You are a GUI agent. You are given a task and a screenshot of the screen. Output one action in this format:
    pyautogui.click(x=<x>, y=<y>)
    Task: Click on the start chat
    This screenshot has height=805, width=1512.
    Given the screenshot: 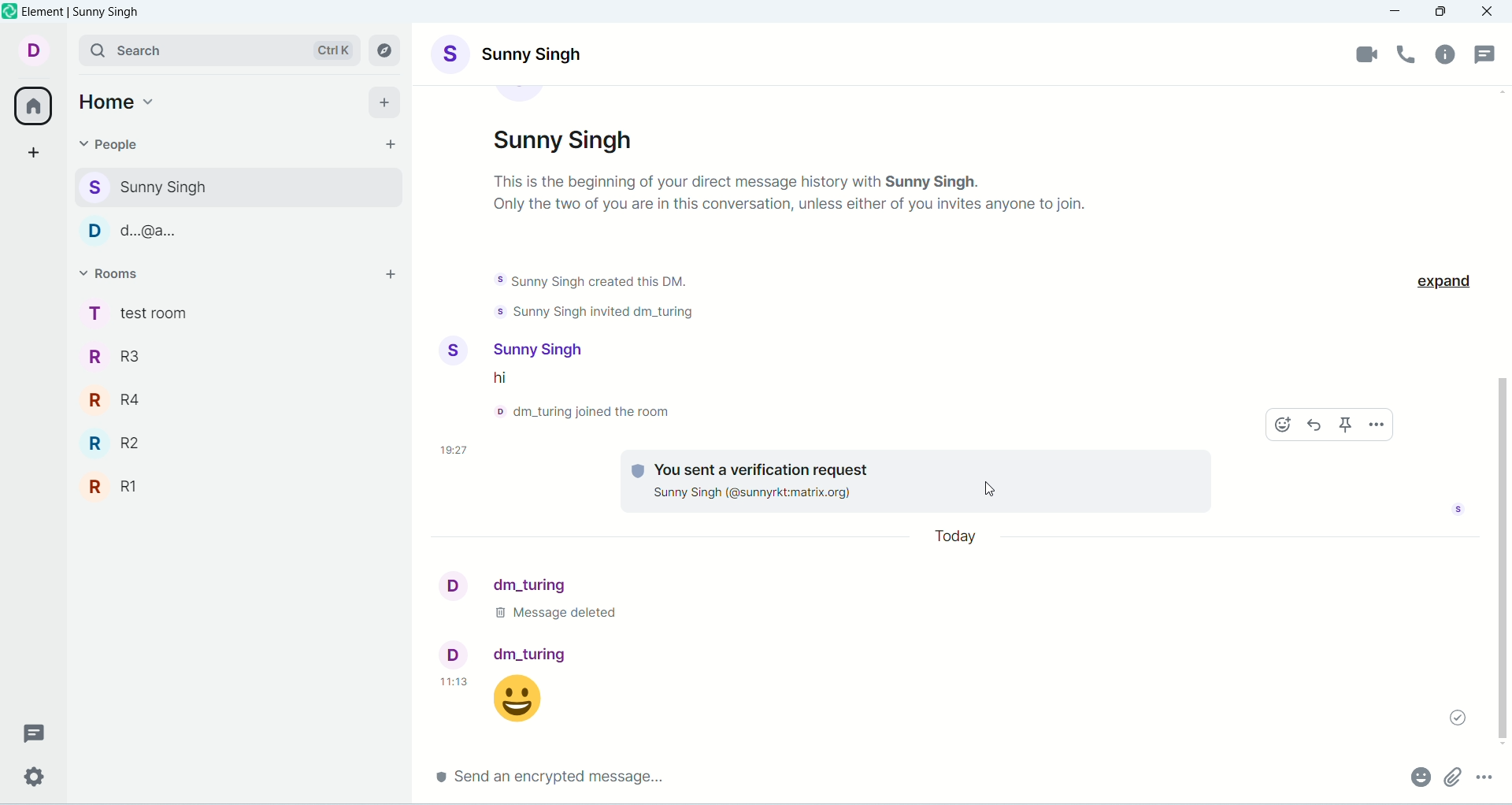 What is the action you would take?
    pyautogui.click(x=387, y=144)
    